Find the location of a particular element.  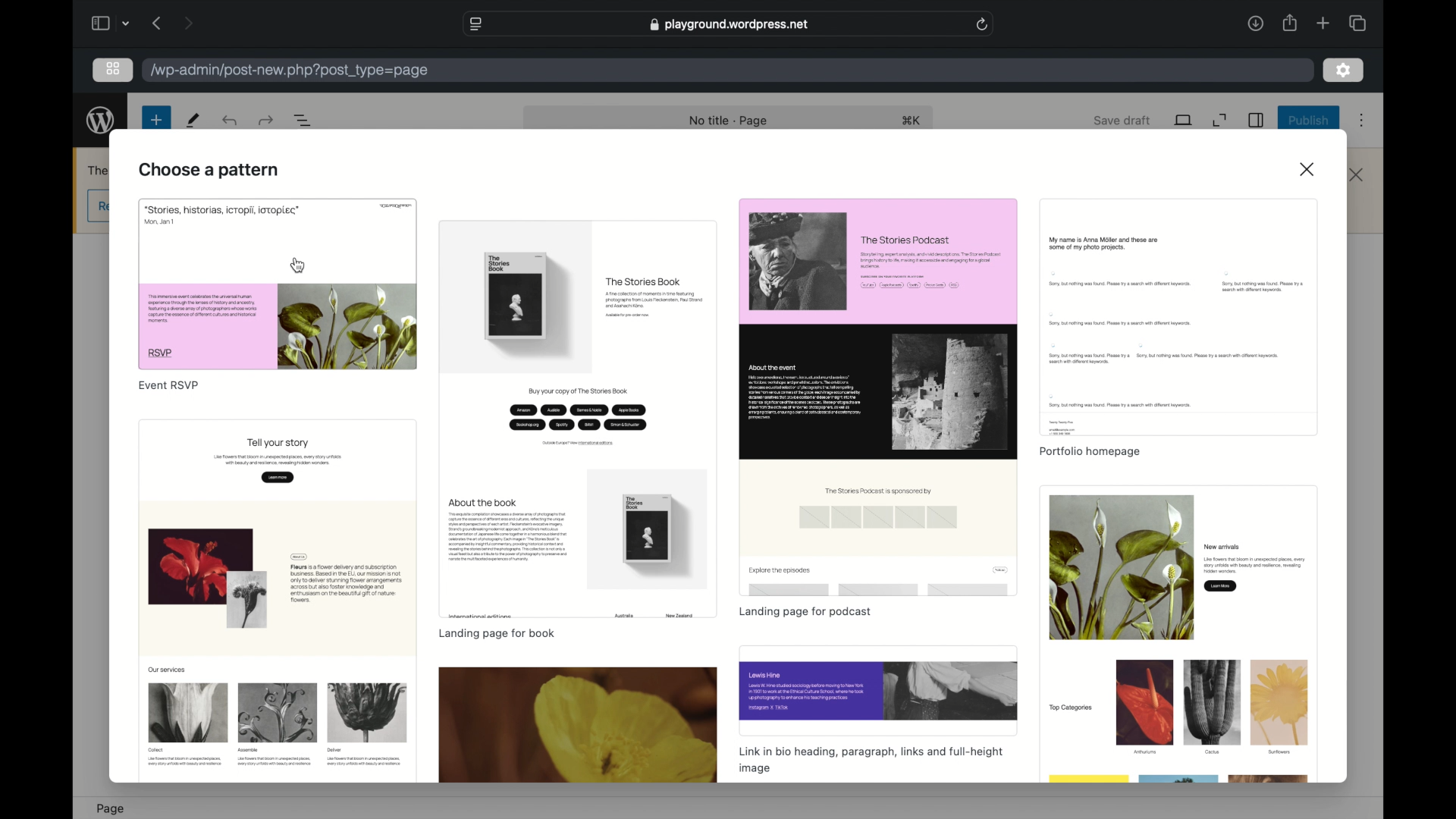

preview is located at coordinates (1178, 319).